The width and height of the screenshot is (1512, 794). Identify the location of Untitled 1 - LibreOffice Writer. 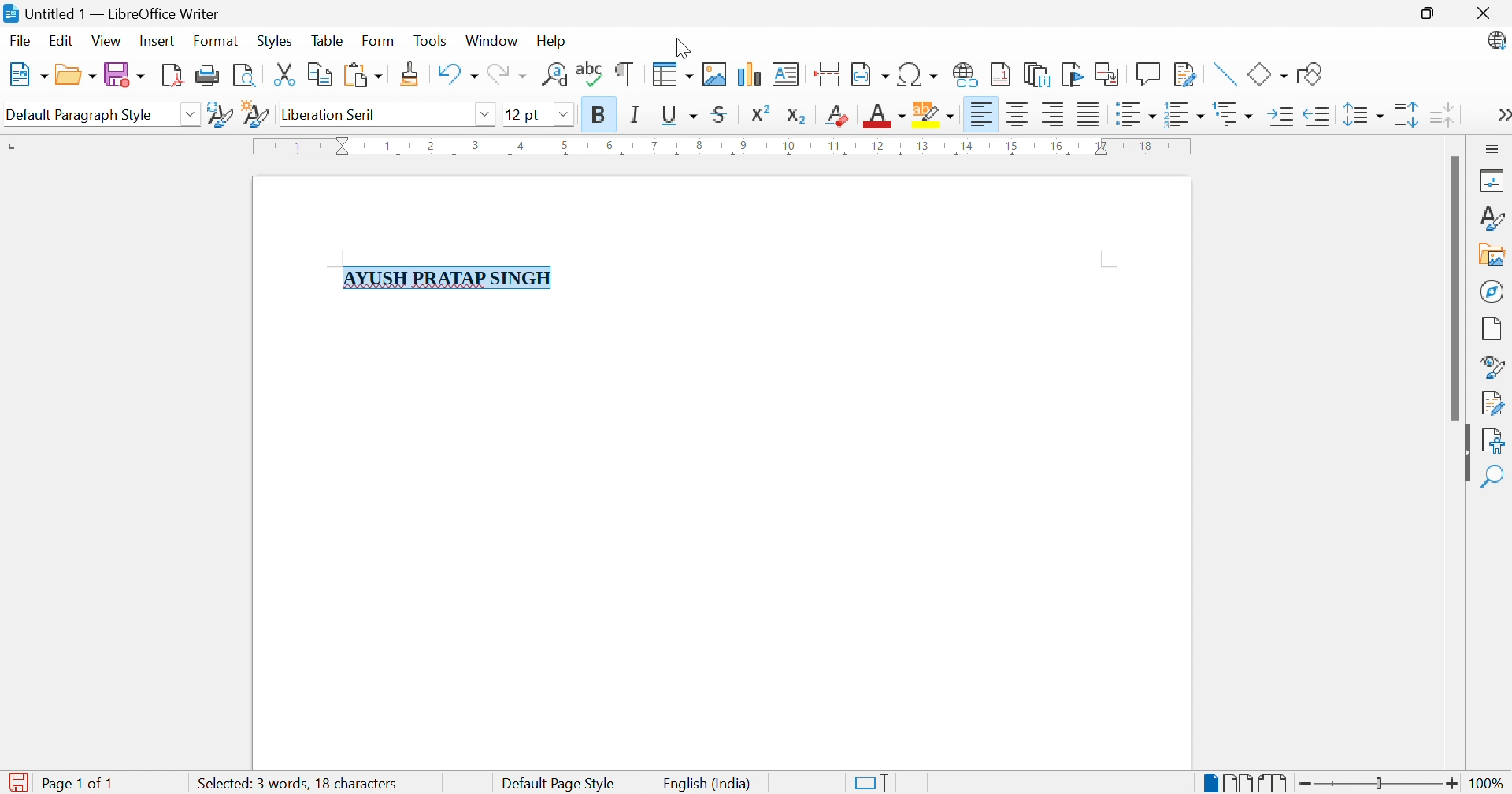
(110, 13).